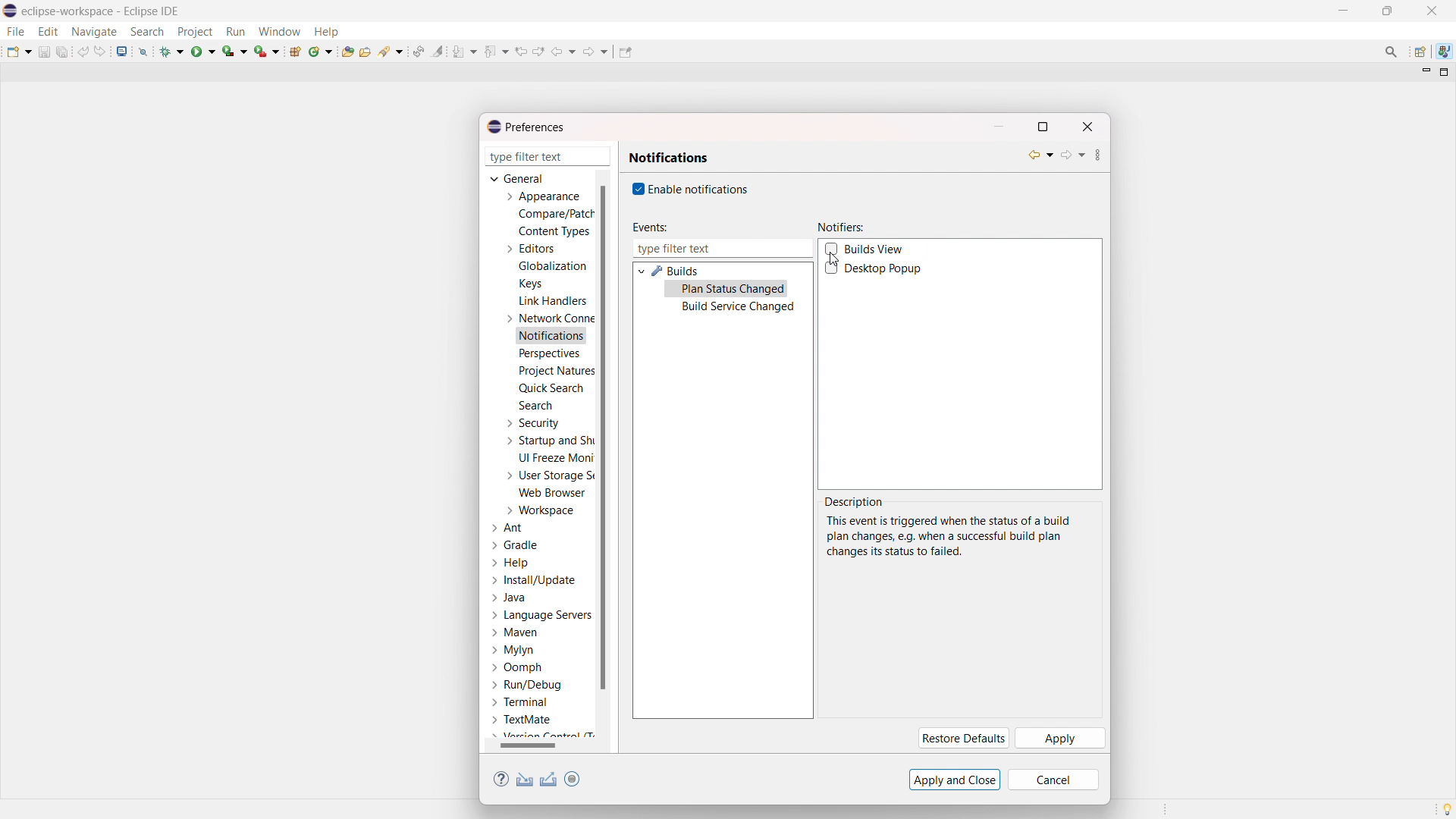 This screenshot has width=1456, height=819. What do you see at coordinates (438, 51) in the screenshot?
I see `toggle ant mark occurances` at bounding box center [438, 51].